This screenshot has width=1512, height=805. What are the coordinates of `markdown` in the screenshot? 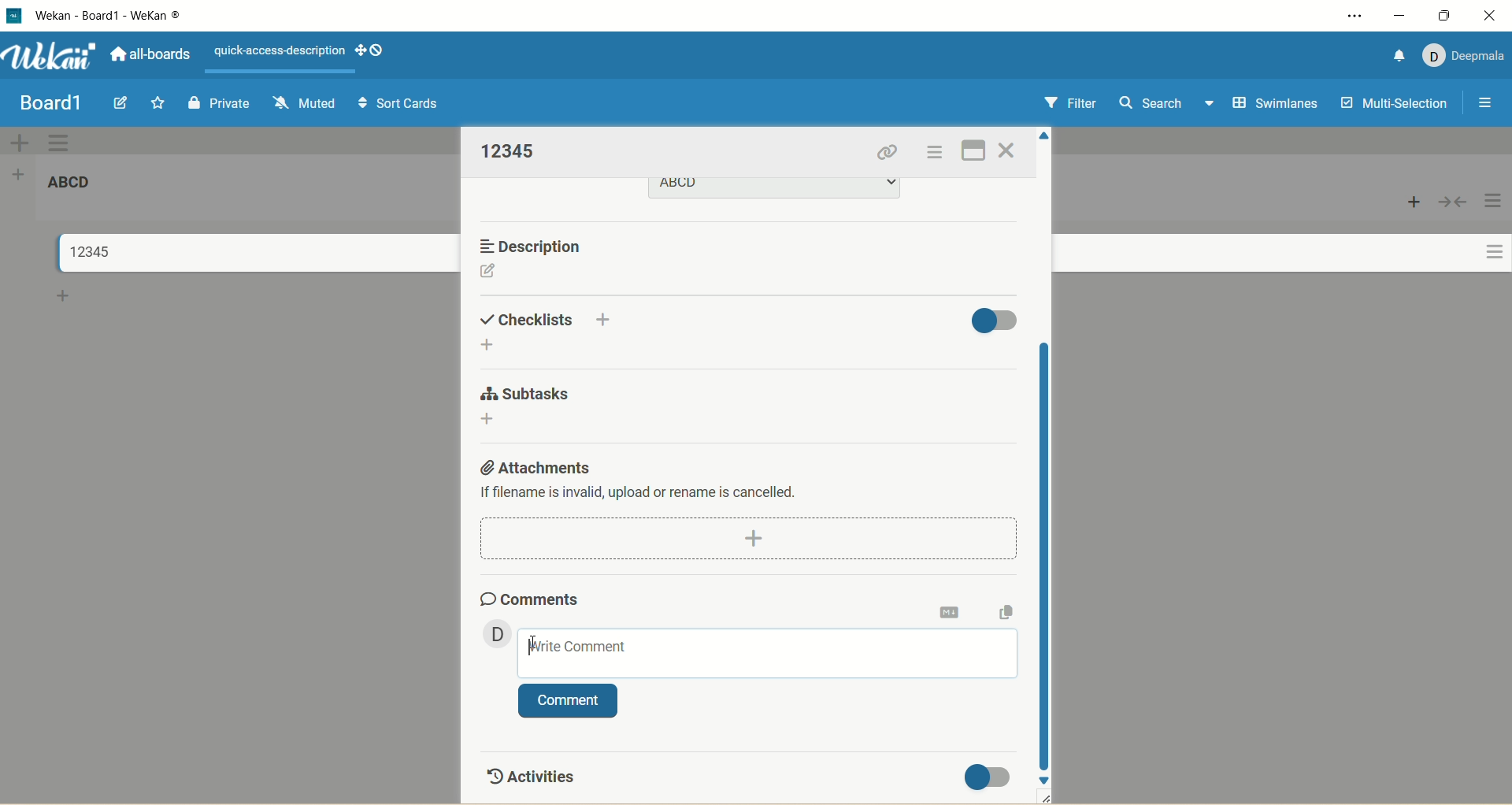 It's located at (951, 610).